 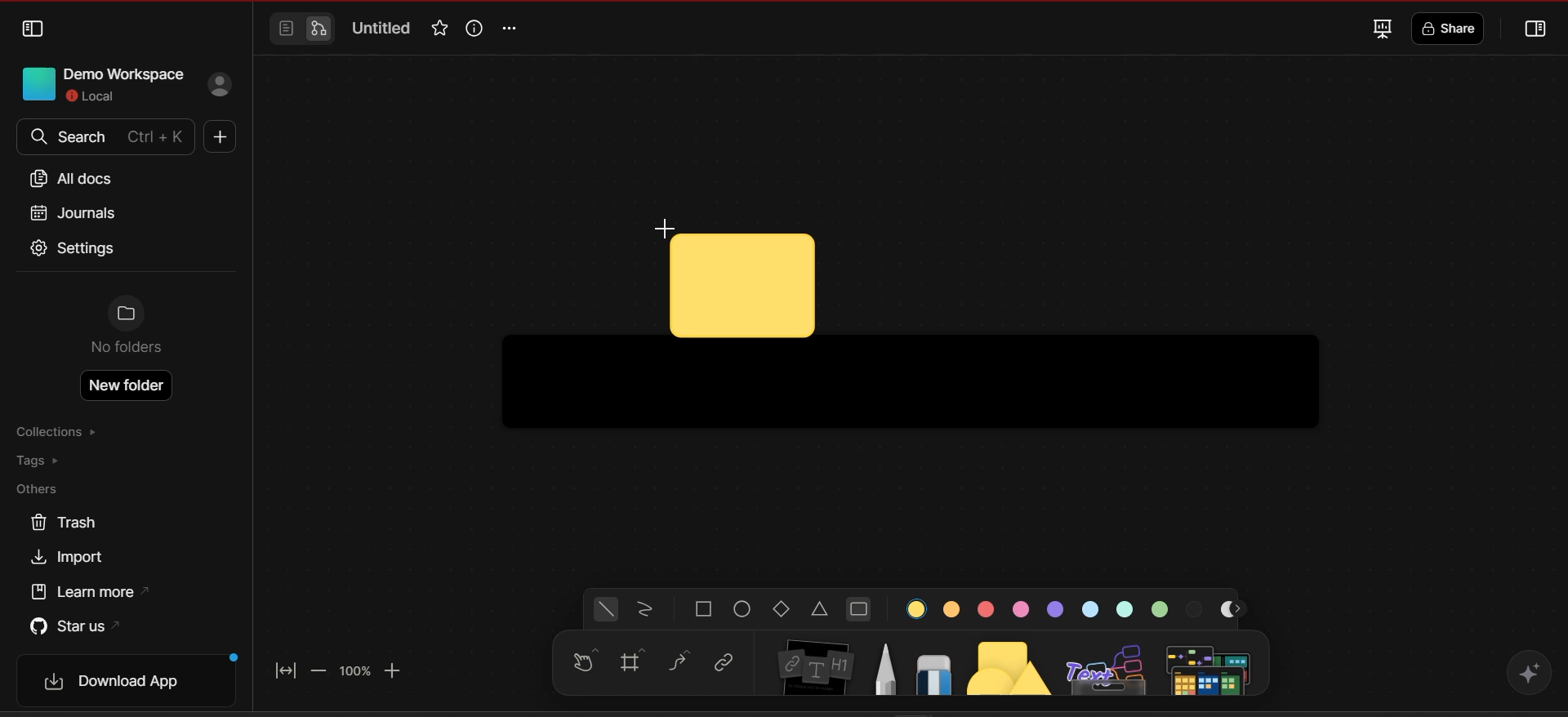 I want to click on color 3, so click(x=985, y=610).